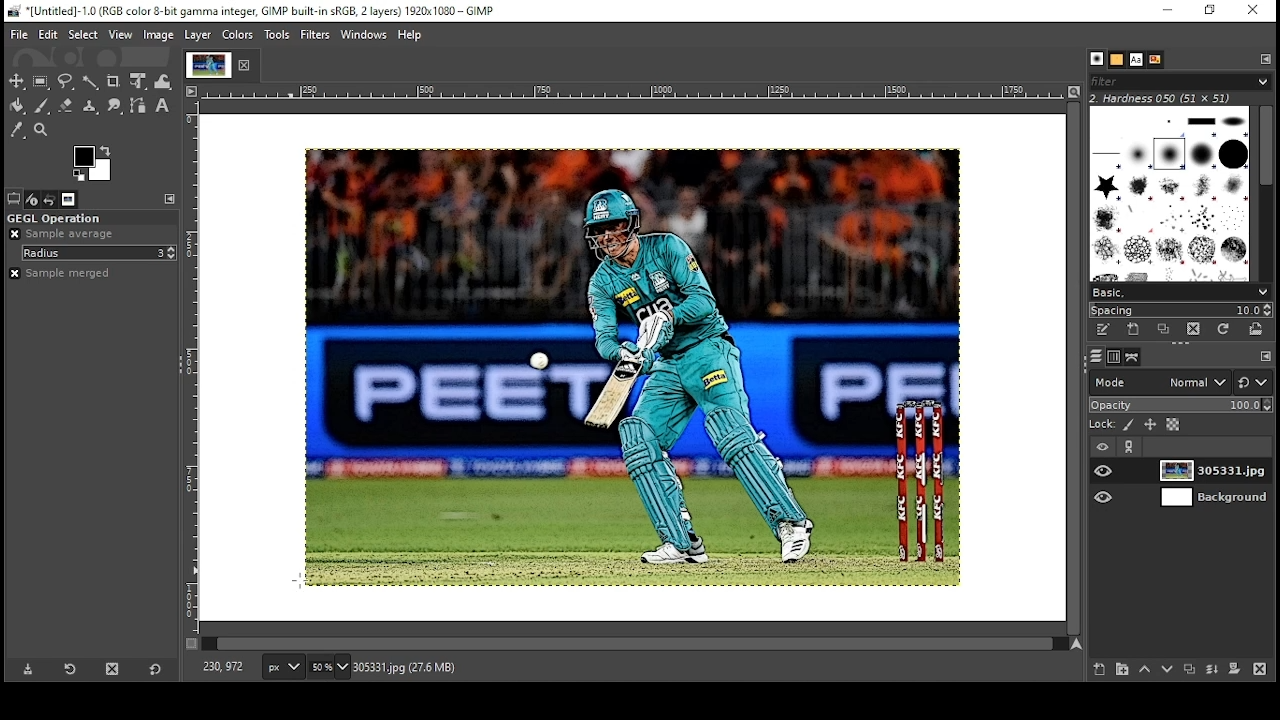 This screenshot has height=720, width=1280. Describe the element at coordinates (1180, 309) in the screenshot. I see `spacing` at that location.